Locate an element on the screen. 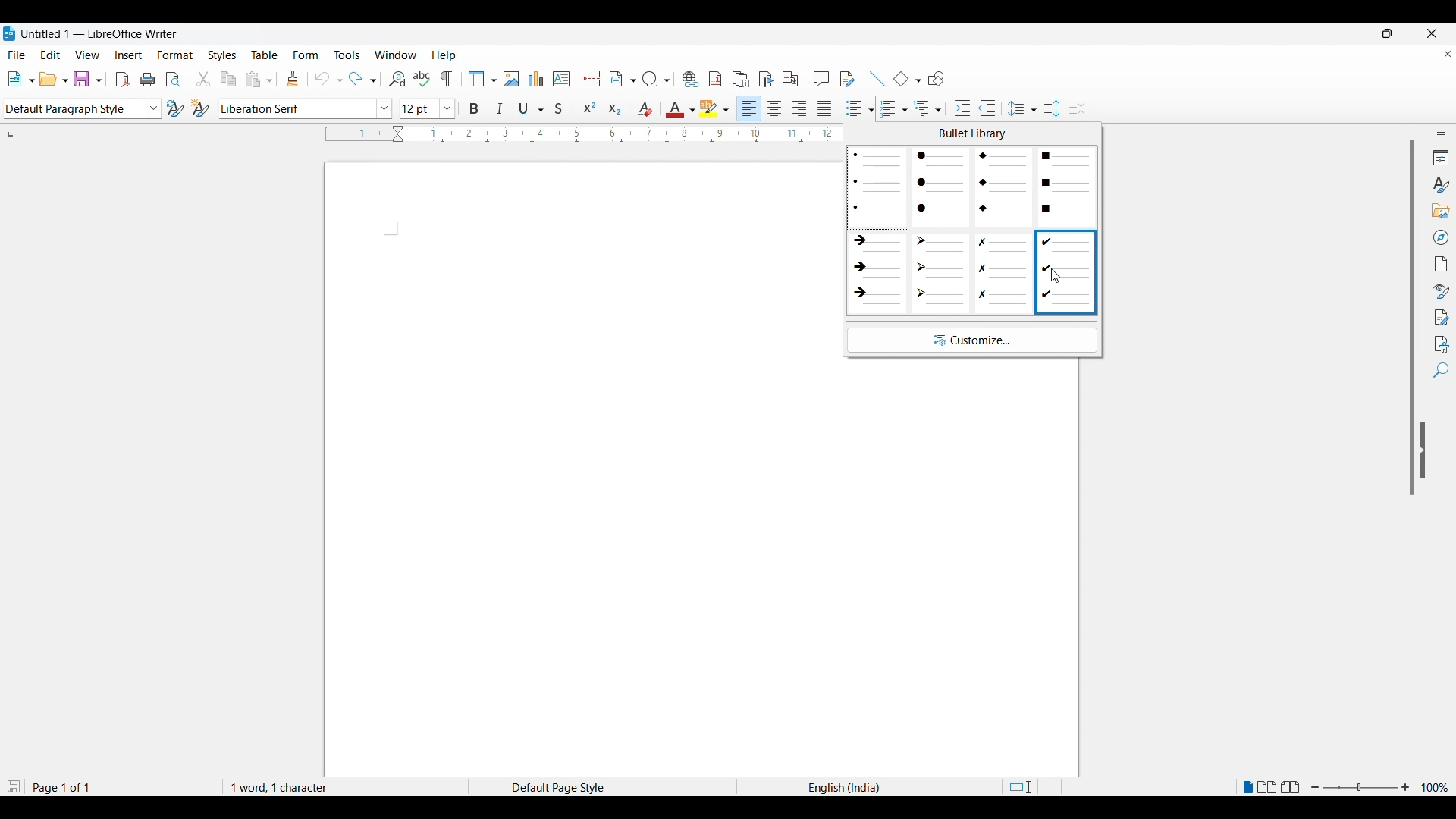 This screenshot has width=1456, height=819. Table is located at coordinates (266, 53).